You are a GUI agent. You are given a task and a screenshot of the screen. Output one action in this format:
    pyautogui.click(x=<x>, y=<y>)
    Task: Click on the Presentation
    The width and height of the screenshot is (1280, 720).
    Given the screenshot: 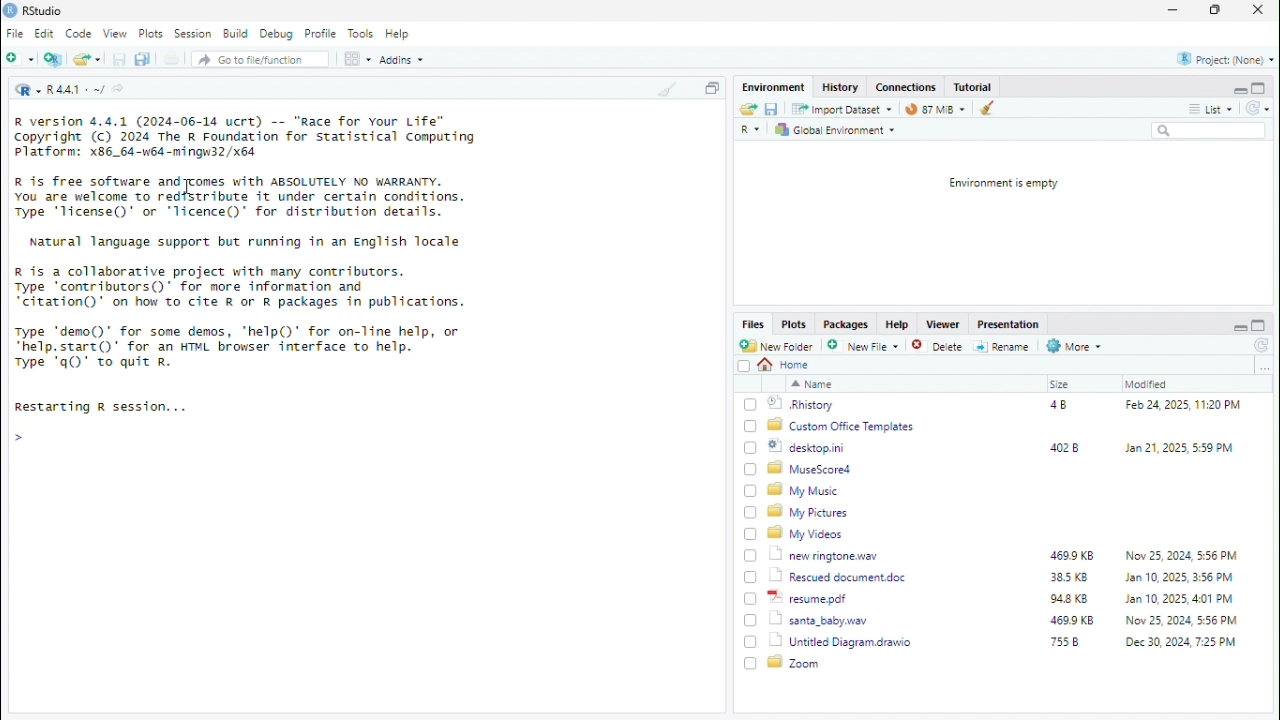 What is the action you would take?
    pyautogui.click(x=1011, y=325)
    